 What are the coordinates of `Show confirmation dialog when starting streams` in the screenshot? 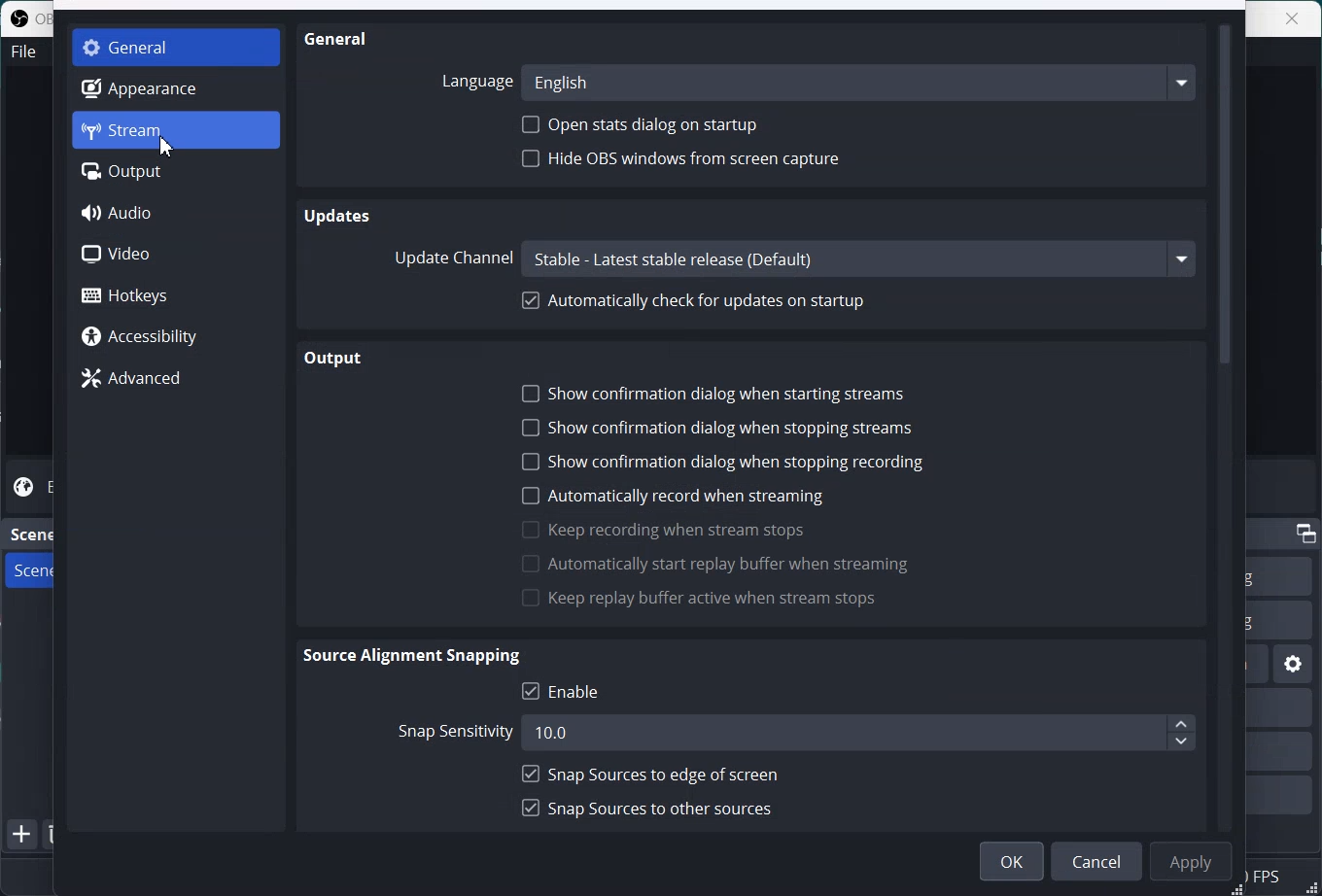 It's located at (713, 395).